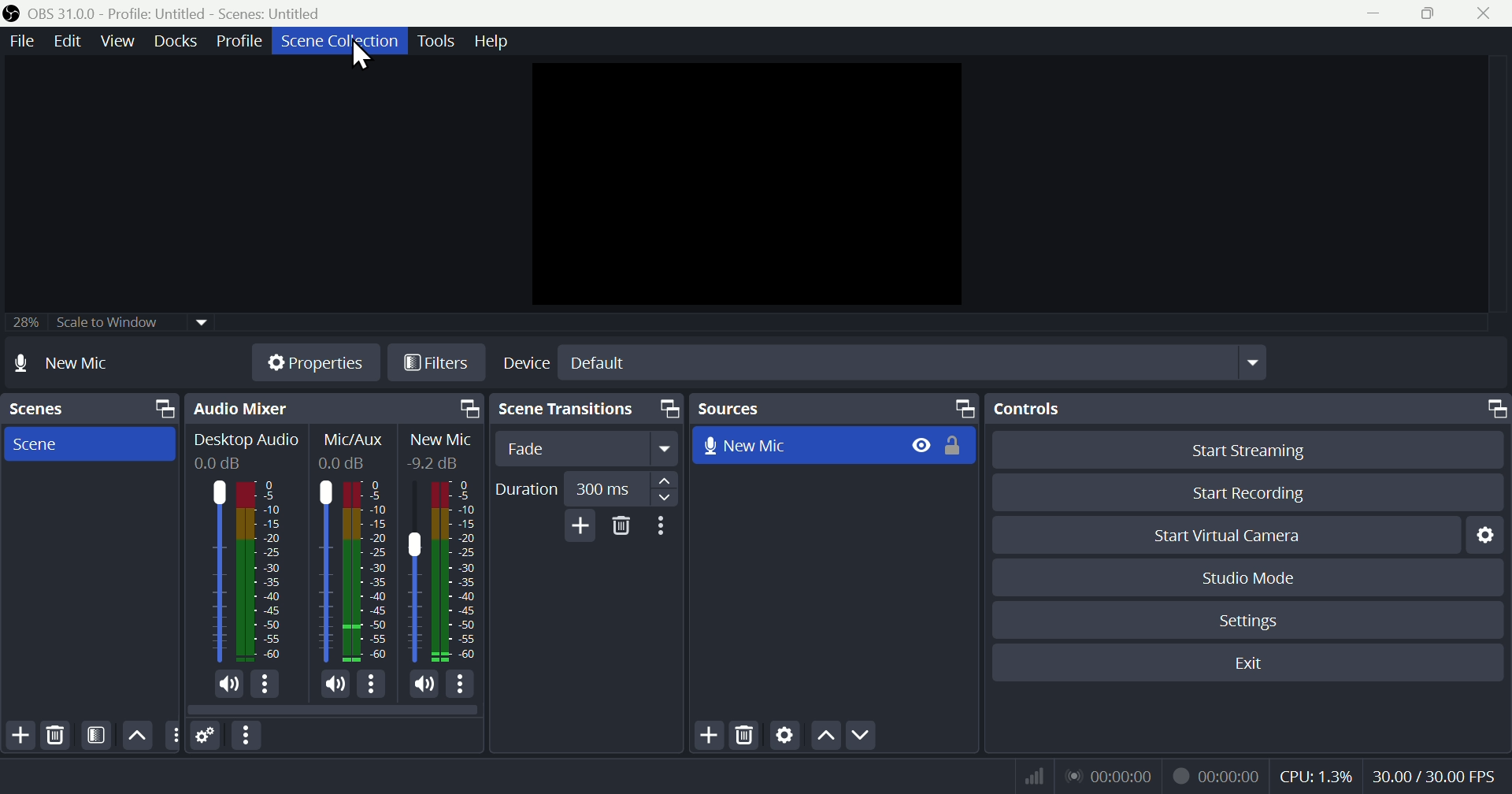 The width and height of the screenshot is (1512, 794). What do you see at coordinates (784, 736) in the screenshot?
I see ` Settings` at bounding box center [784, 736].